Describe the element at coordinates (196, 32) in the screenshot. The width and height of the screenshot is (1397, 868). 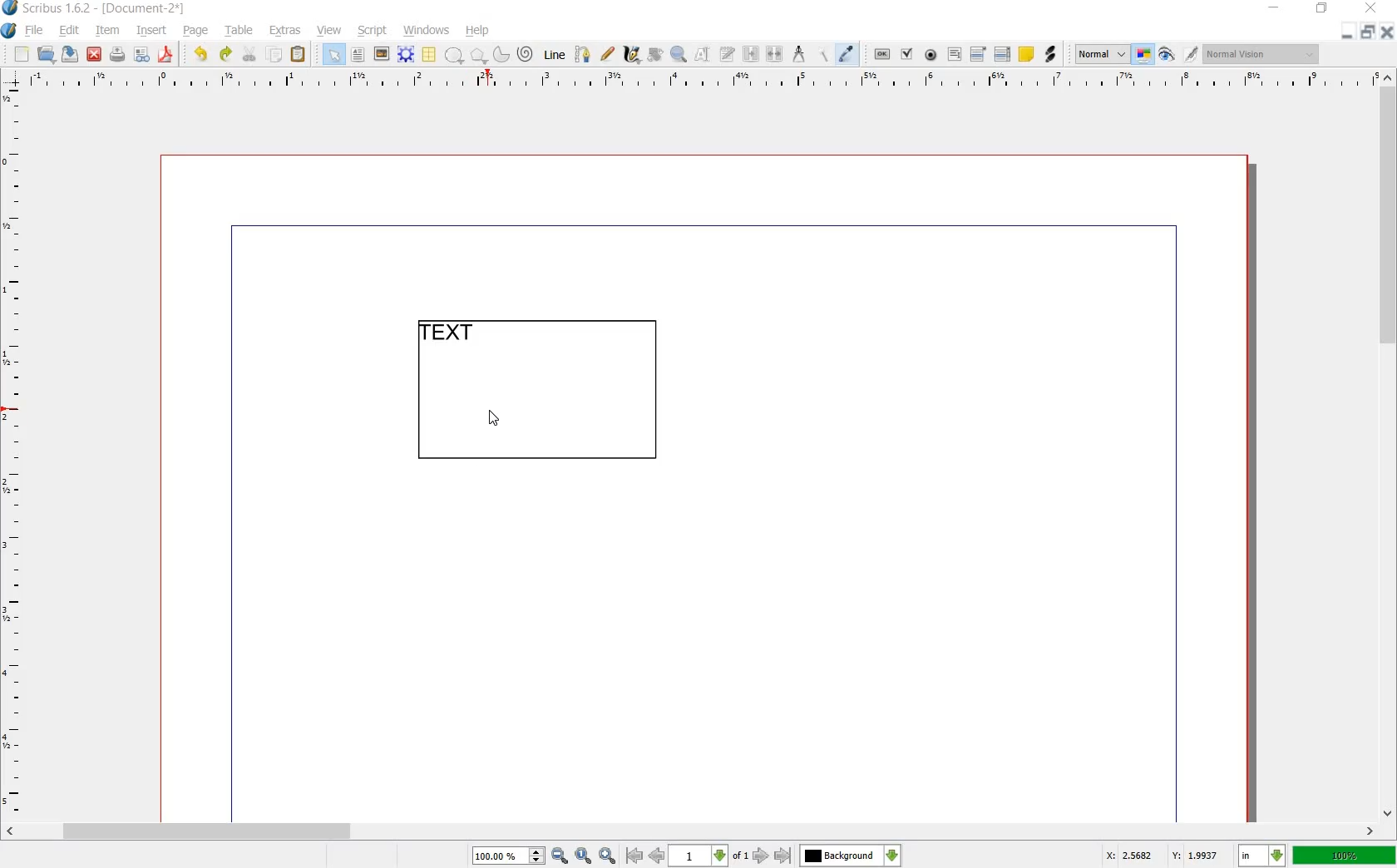
I see `page` at that location.